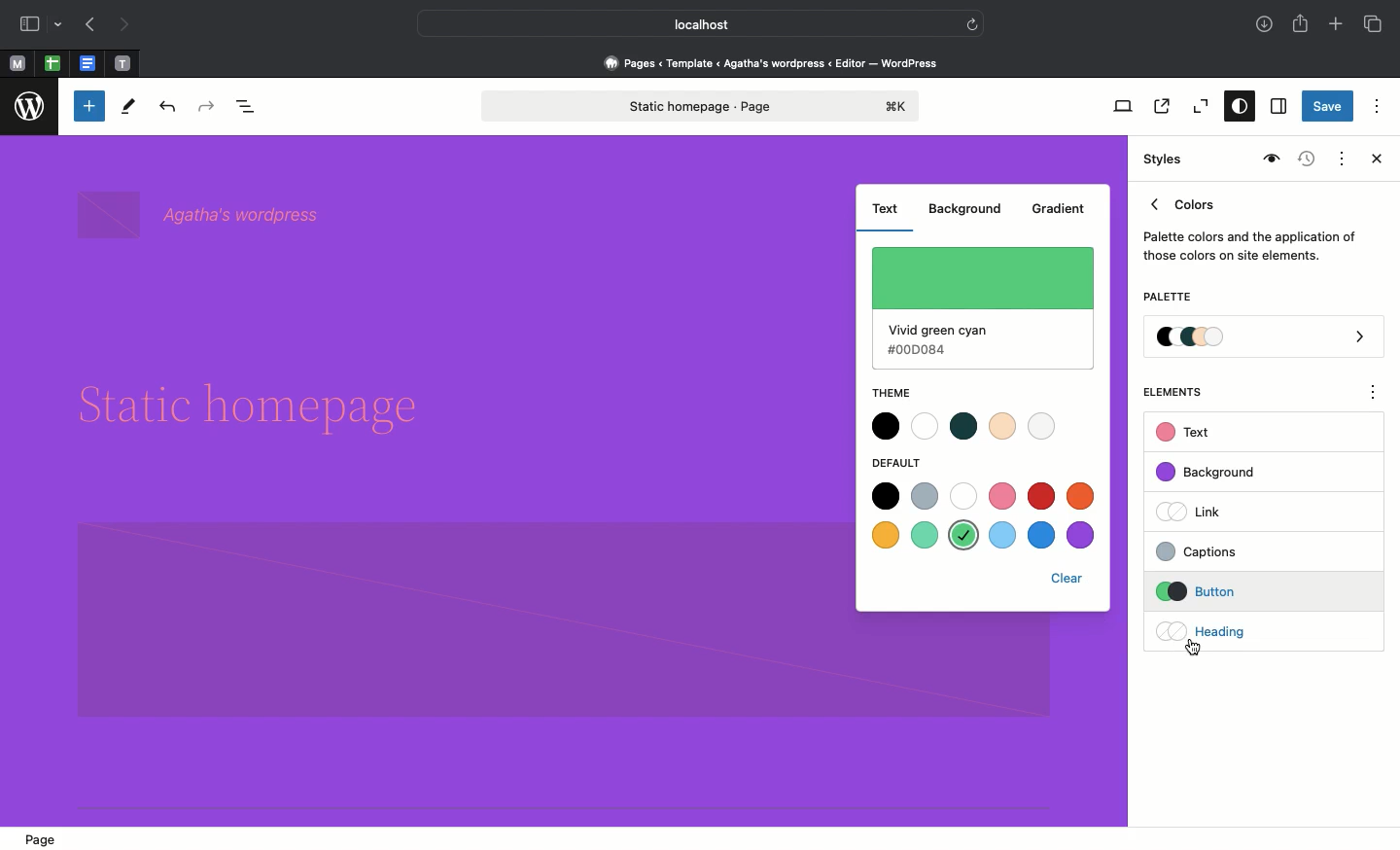 This screenshot has width=1400, height=850. What do you see at coordinates (1235, 592) in the screenshot?
I see `Clicking on button` at bounding box center [1235, 592].